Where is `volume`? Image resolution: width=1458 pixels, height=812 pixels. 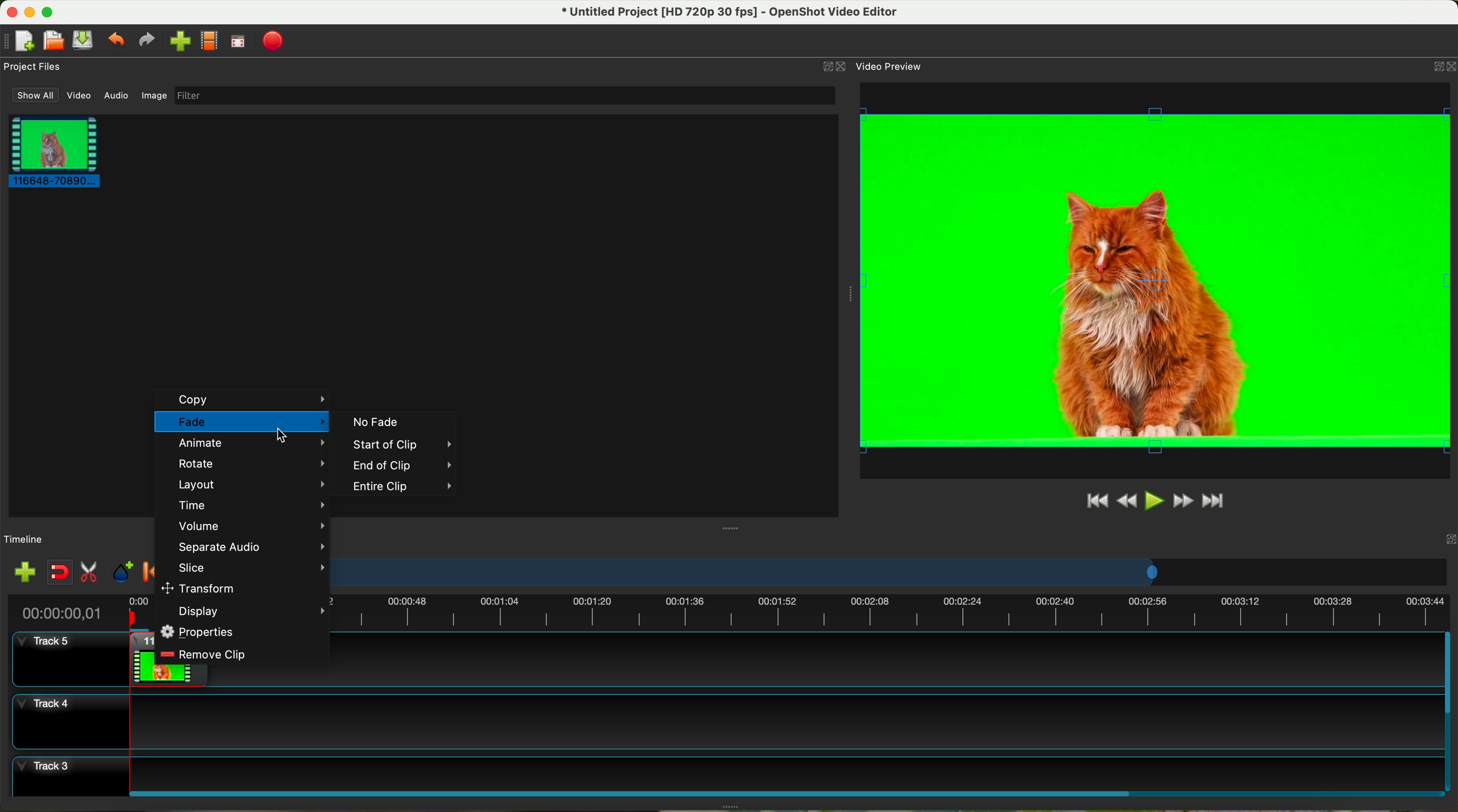
volume is located at coordinates (251, 526).